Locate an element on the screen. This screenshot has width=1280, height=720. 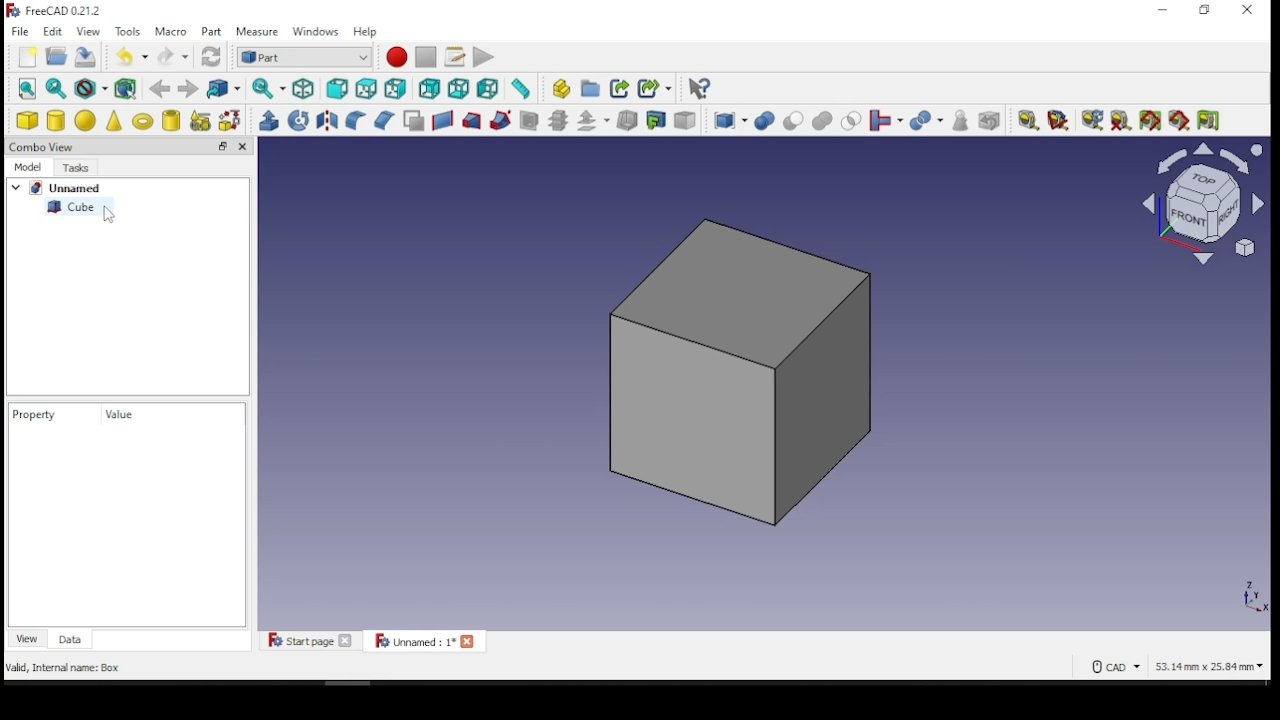
back is located at coordinates (159, 89).